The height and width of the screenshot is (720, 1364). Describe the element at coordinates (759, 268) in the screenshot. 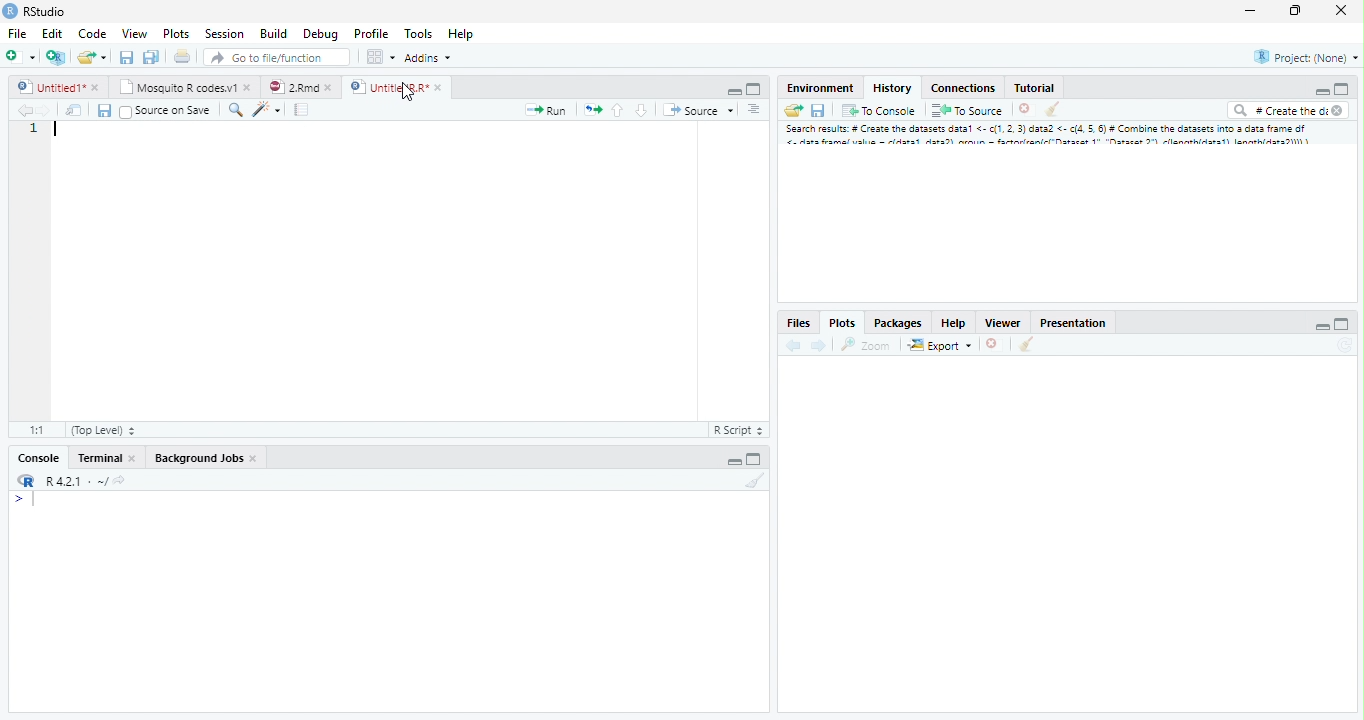

I see `Scrollbar` at that location.